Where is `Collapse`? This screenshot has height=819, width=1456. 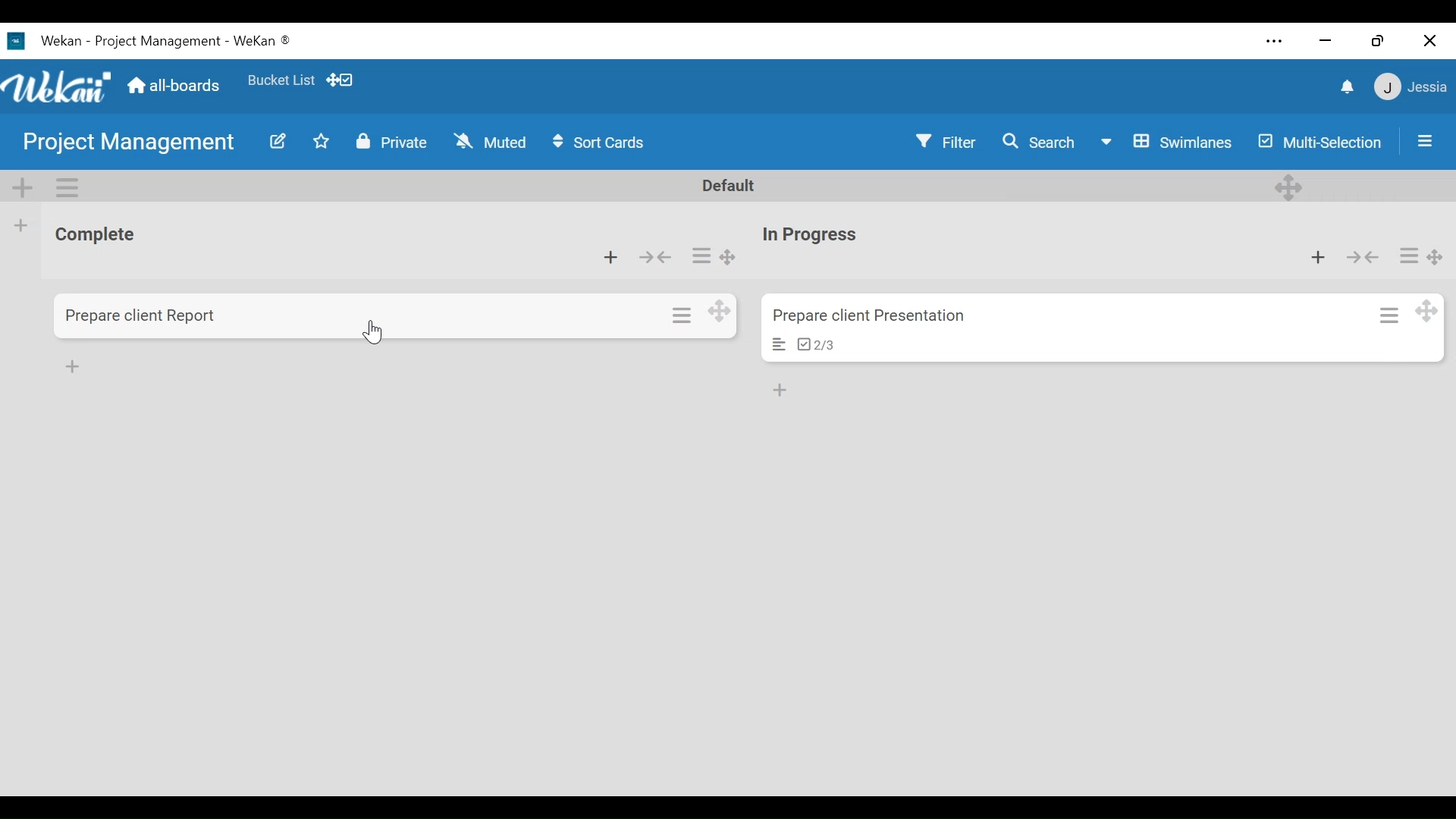 Collapse is located at coordinates (1367, 257).